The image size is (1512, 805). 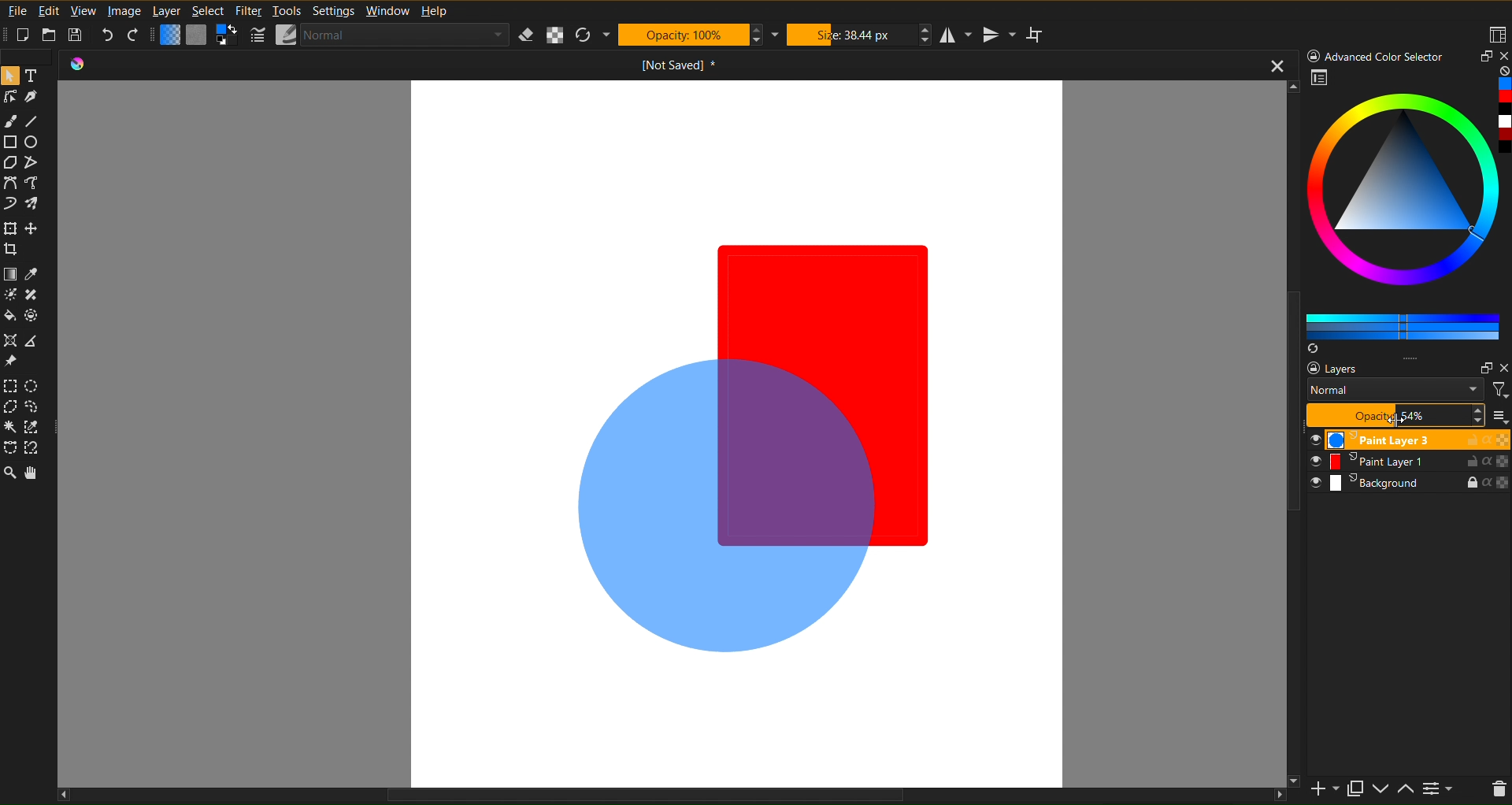 I want to click on Selection Tool, so click(x=10, y=386).